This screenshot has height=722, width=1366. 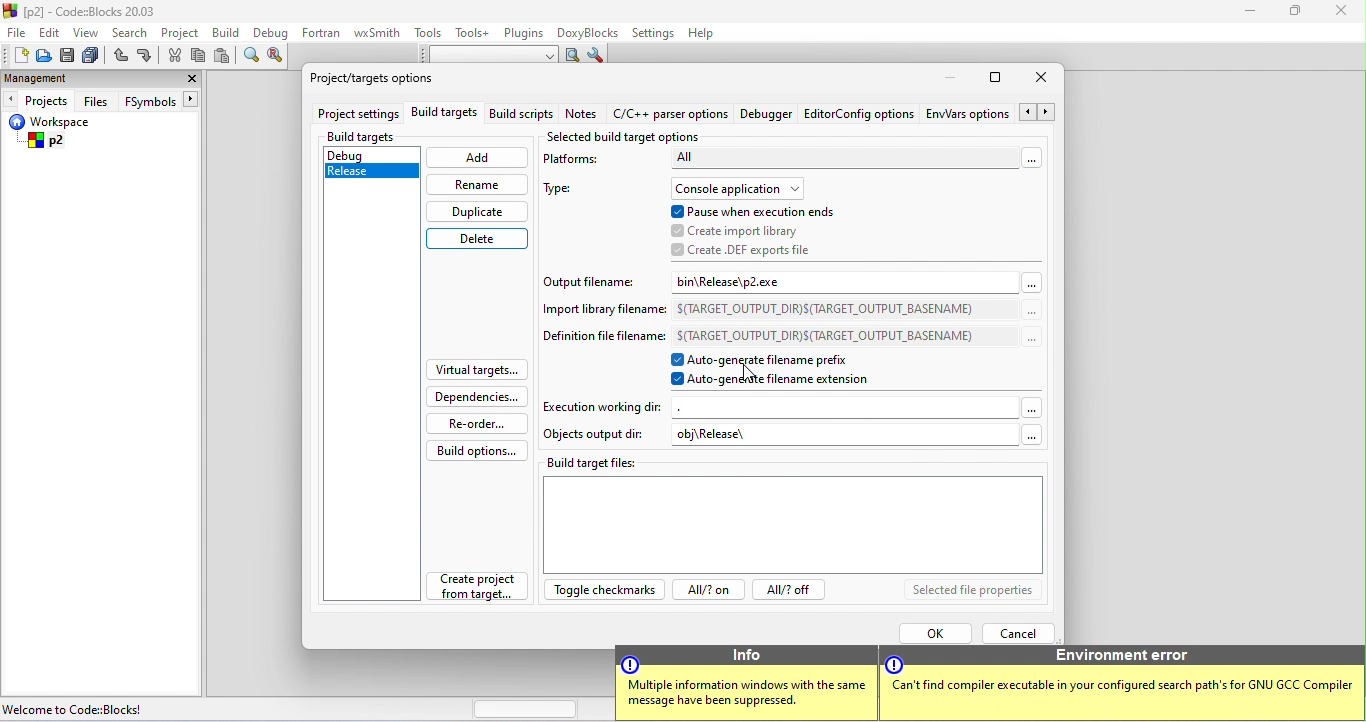 What do you see at coordinates (1255, 15) in the screenshot?
I see `minimize` at bounding box center [1255, 15].